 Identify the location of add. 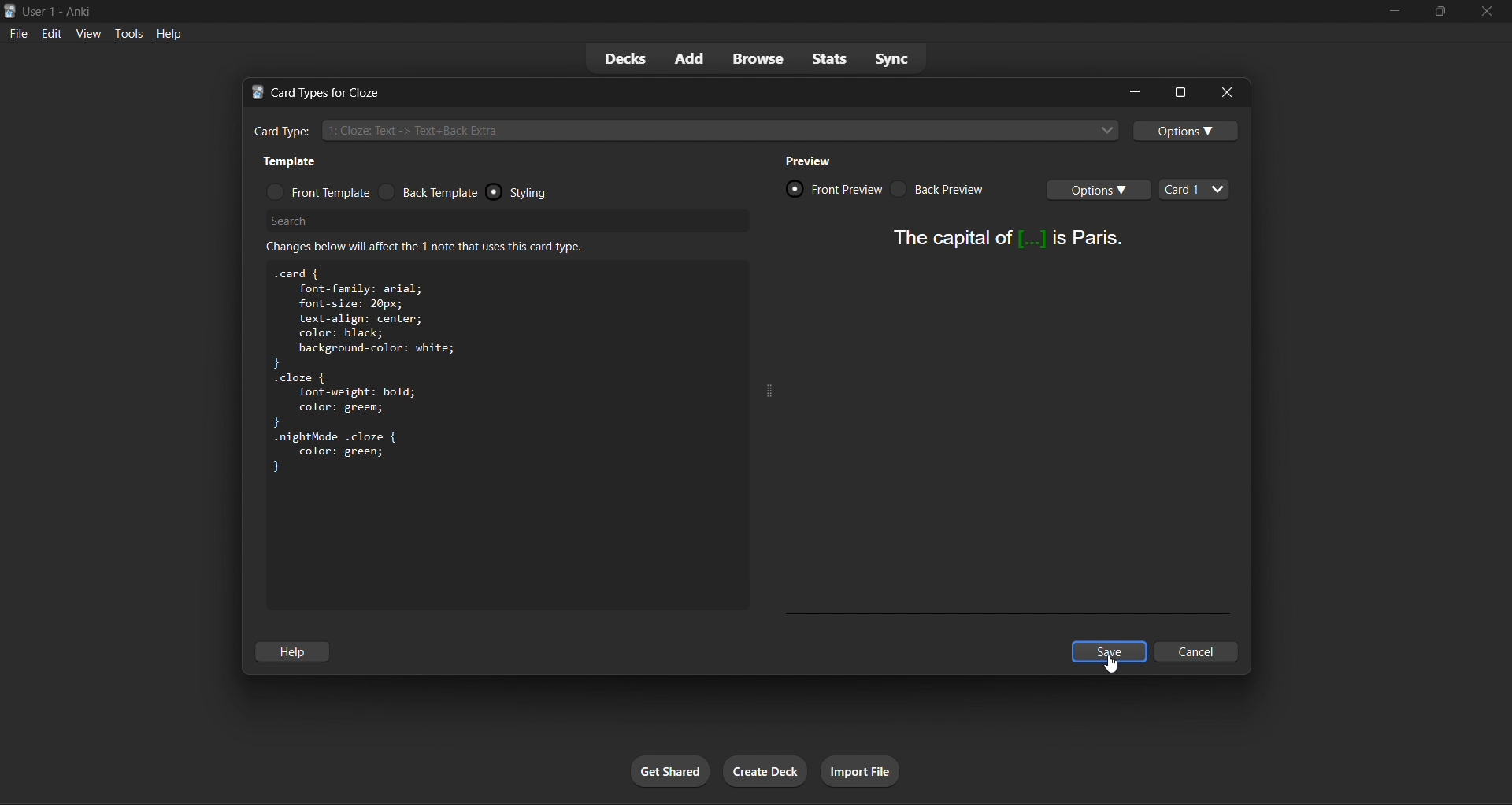
(689, 57).